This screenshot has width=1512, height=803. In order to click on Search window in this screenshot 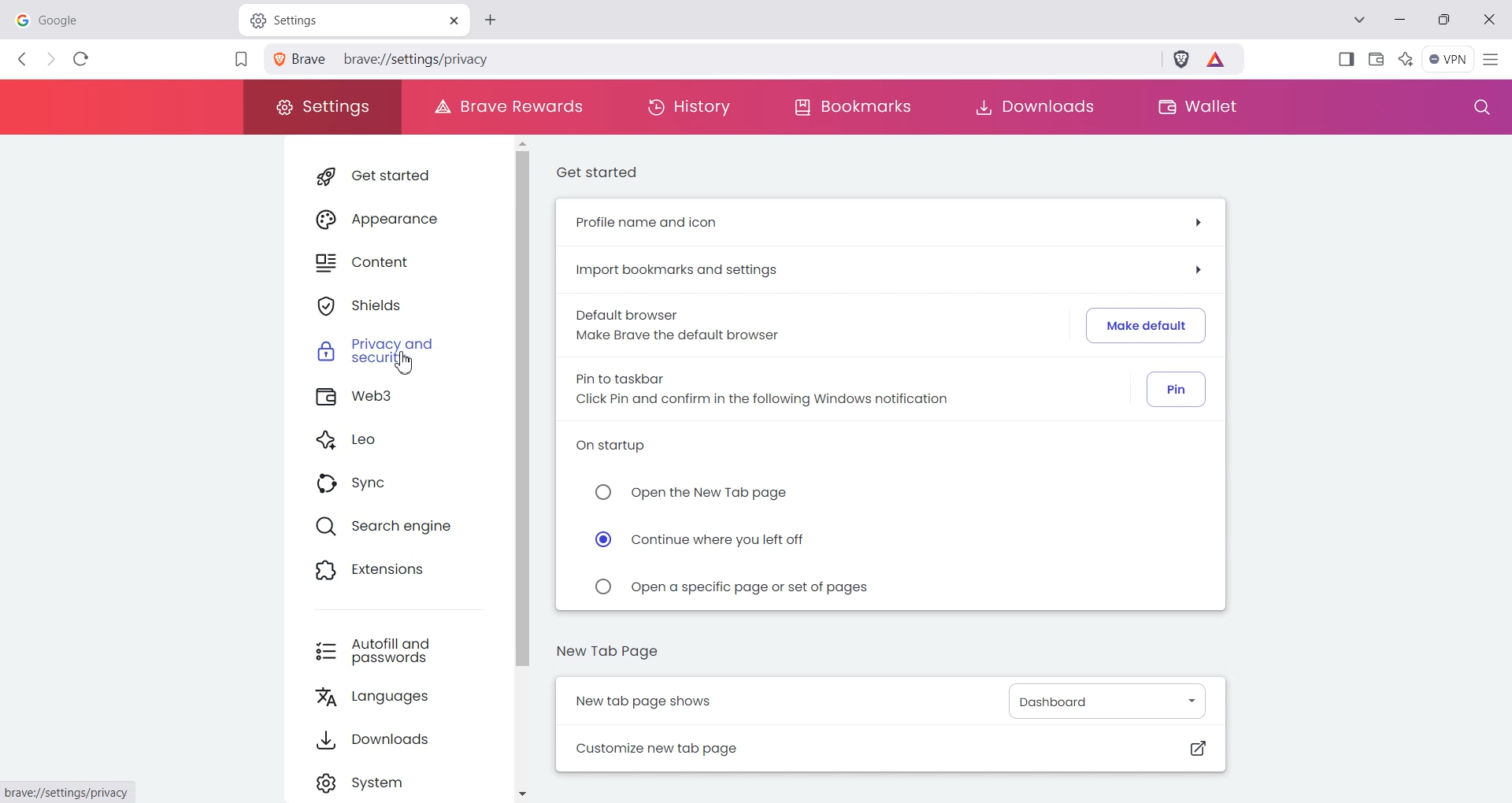, I will do `click(1478, 108)`.